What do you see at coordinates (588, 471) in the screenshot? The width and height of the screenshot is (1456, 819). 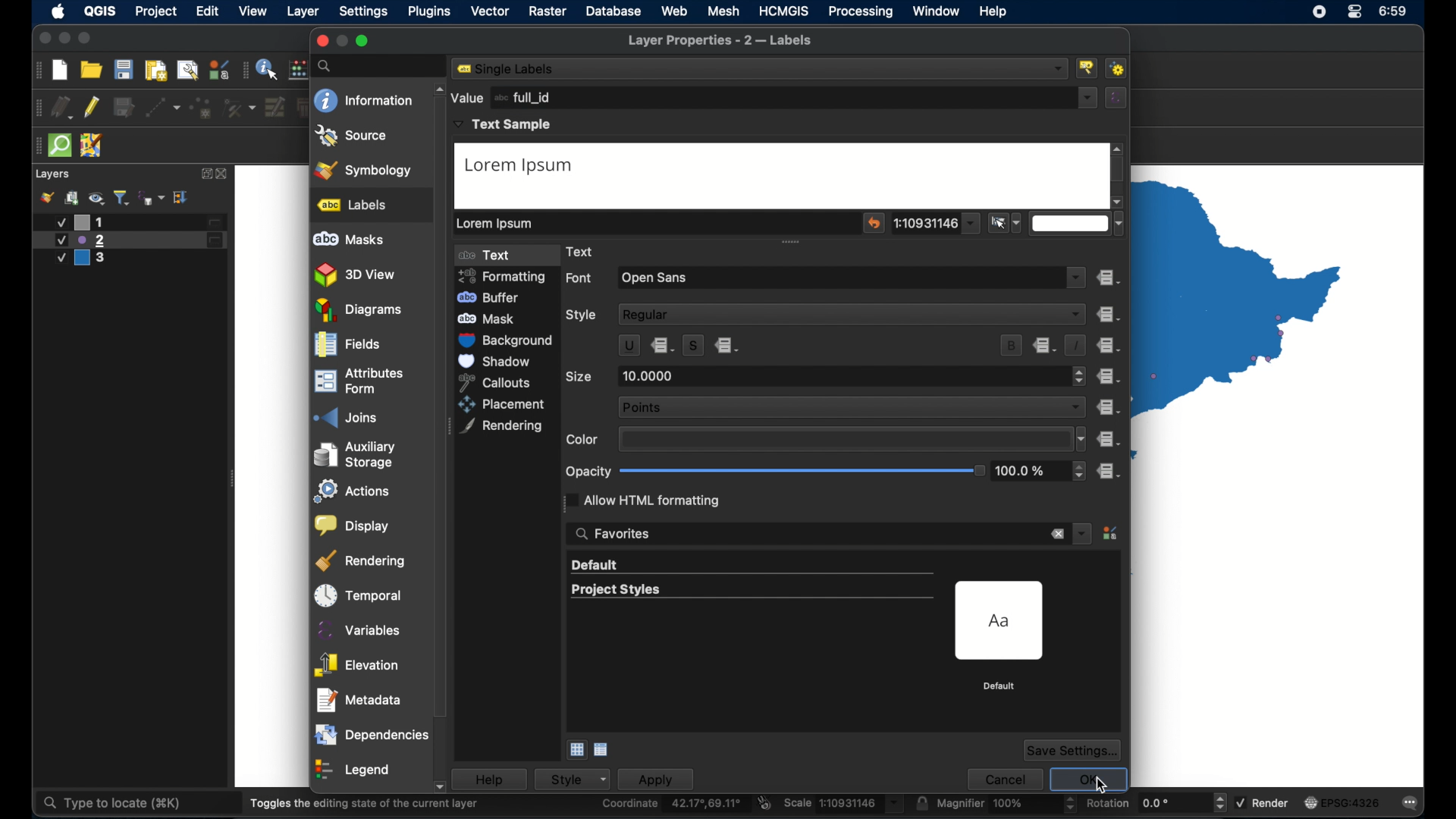 I see `opacity` at bounding box center [588, 471].